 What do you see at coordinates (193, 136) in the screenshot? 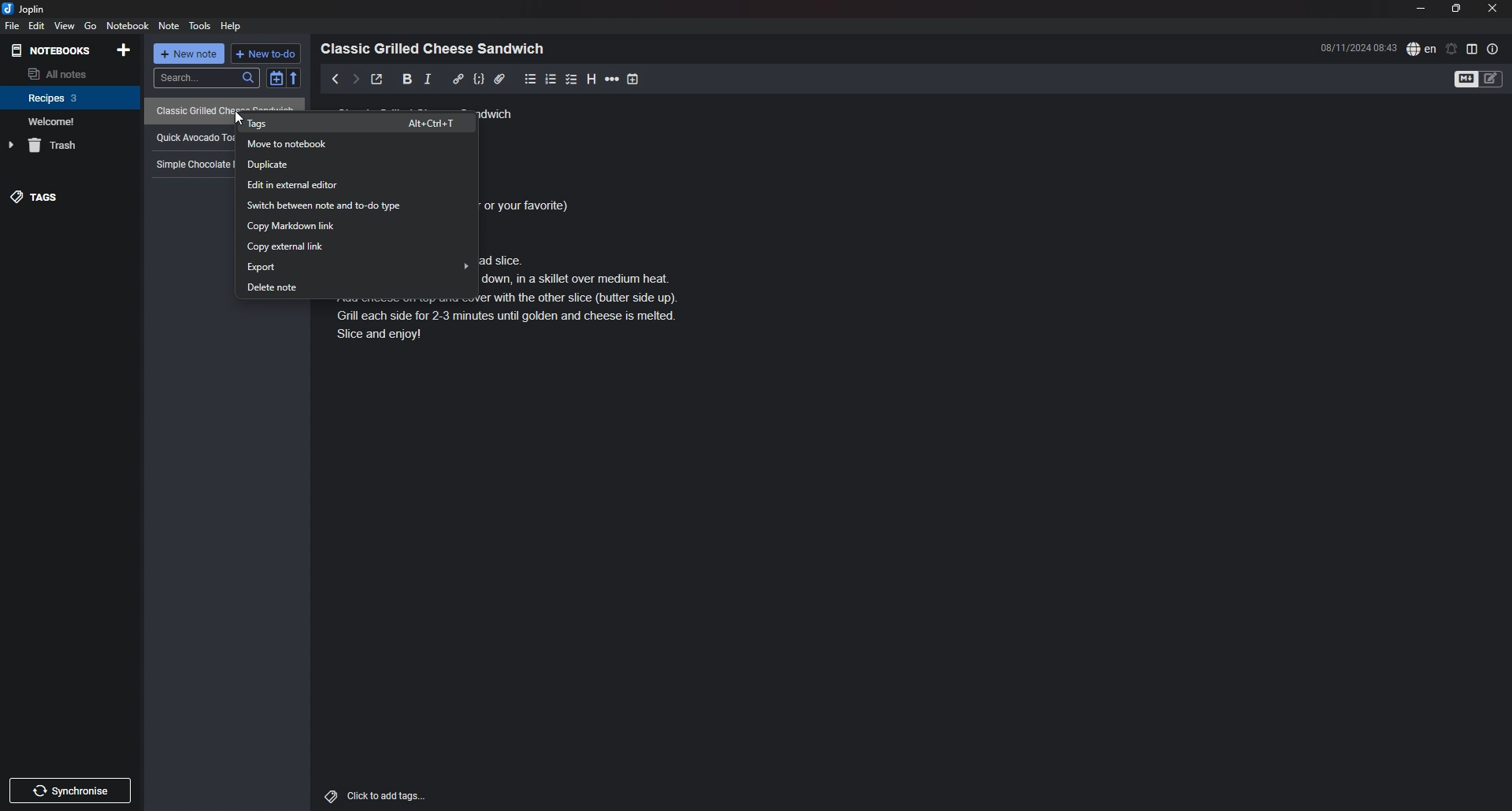
I see `recipe` at bounding box center [193, 136].